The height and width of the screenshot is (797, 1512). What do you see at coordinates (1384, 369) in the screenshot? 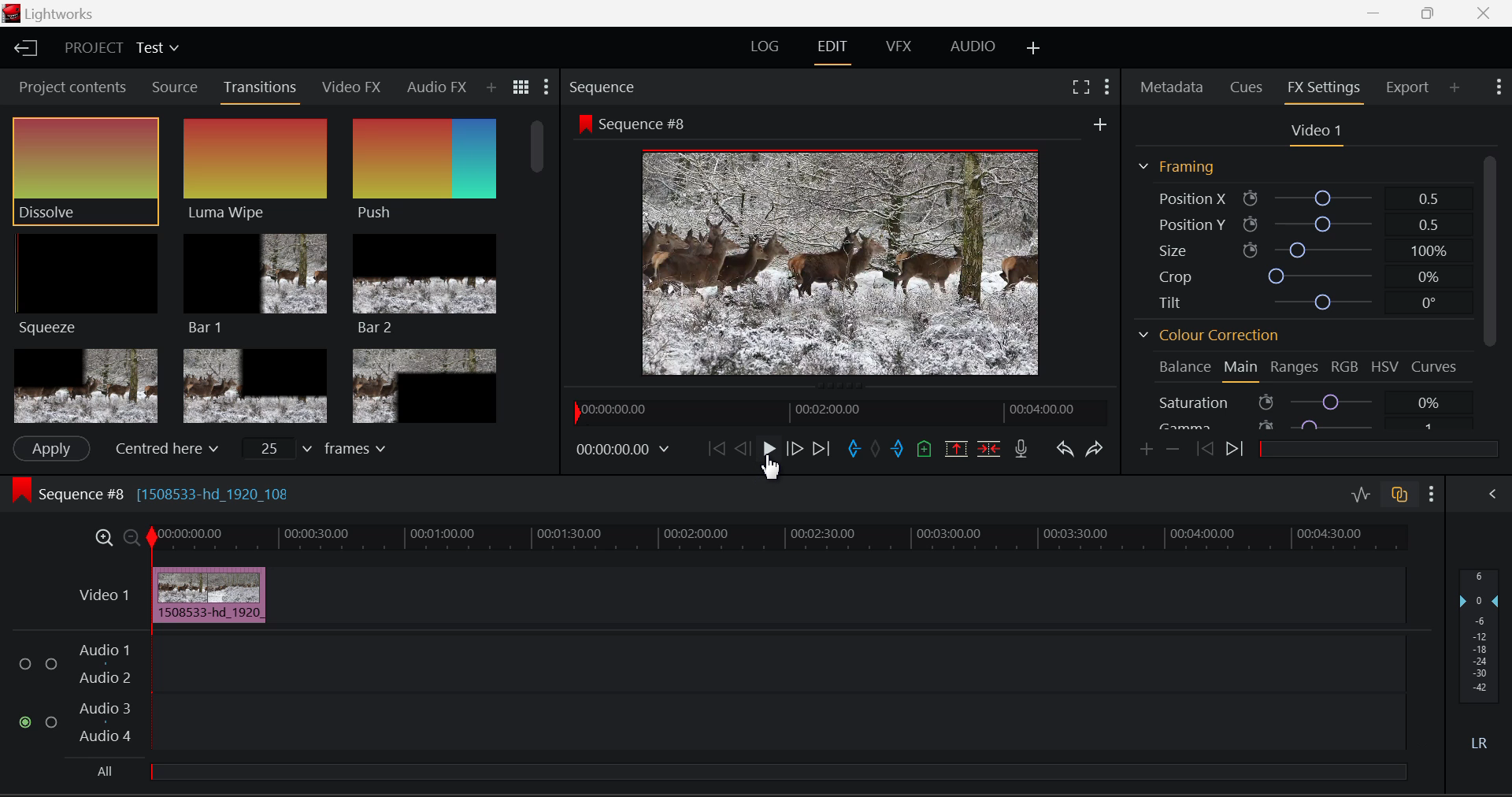
I see `HSV` at bounding box center [1384, 369].